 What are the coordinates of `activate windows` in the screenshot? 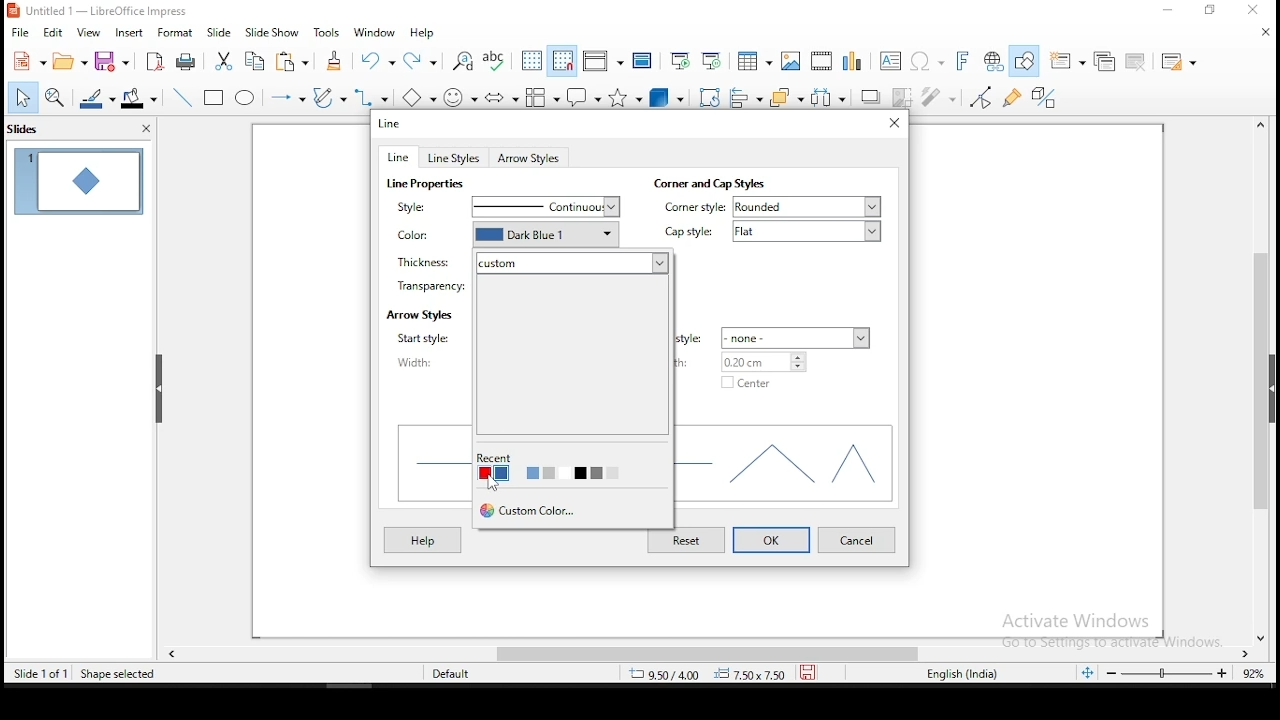 It's located at (1105, 631).